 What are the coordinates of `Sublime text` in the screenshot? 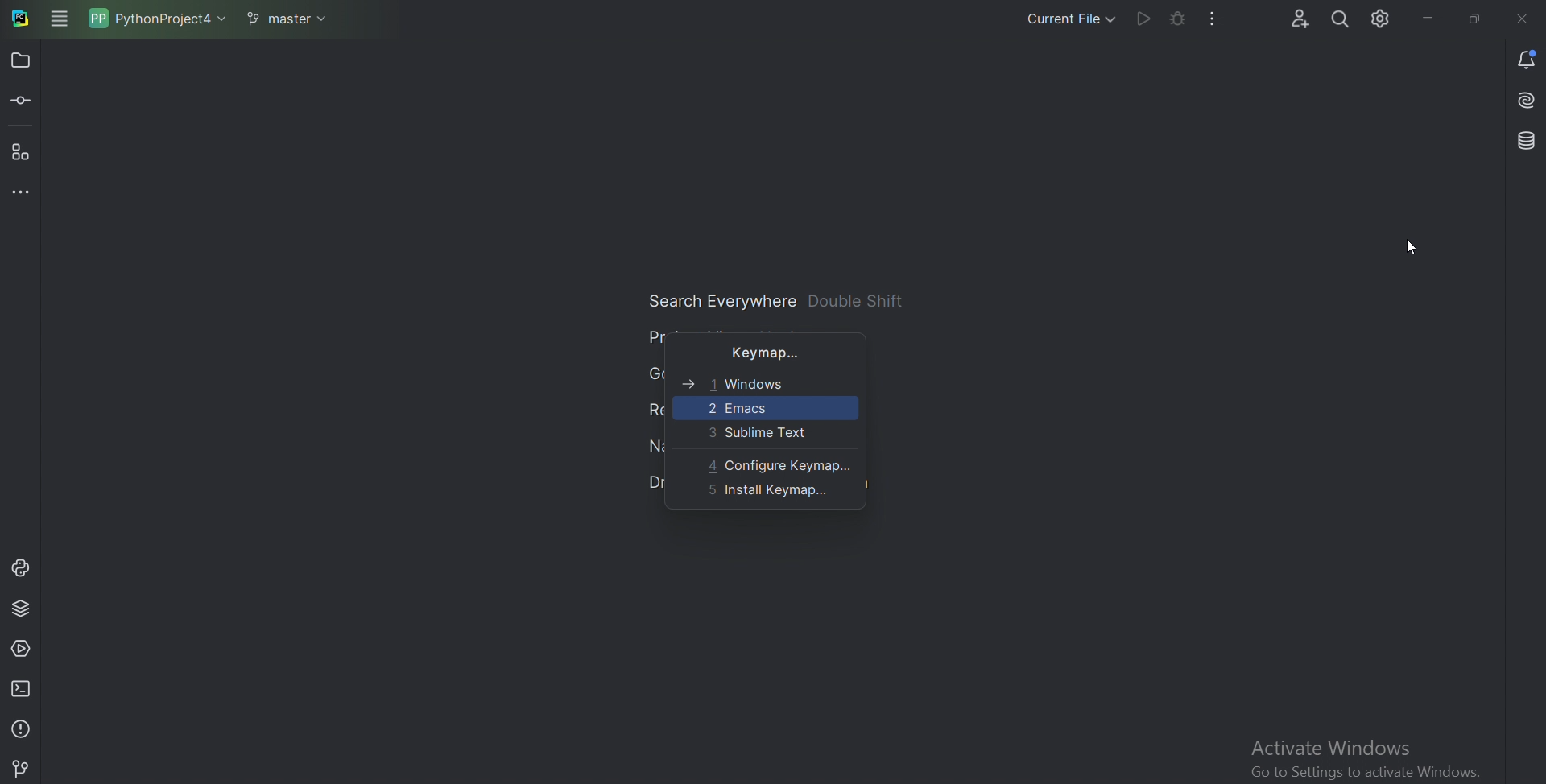 It's located at (755, 434).